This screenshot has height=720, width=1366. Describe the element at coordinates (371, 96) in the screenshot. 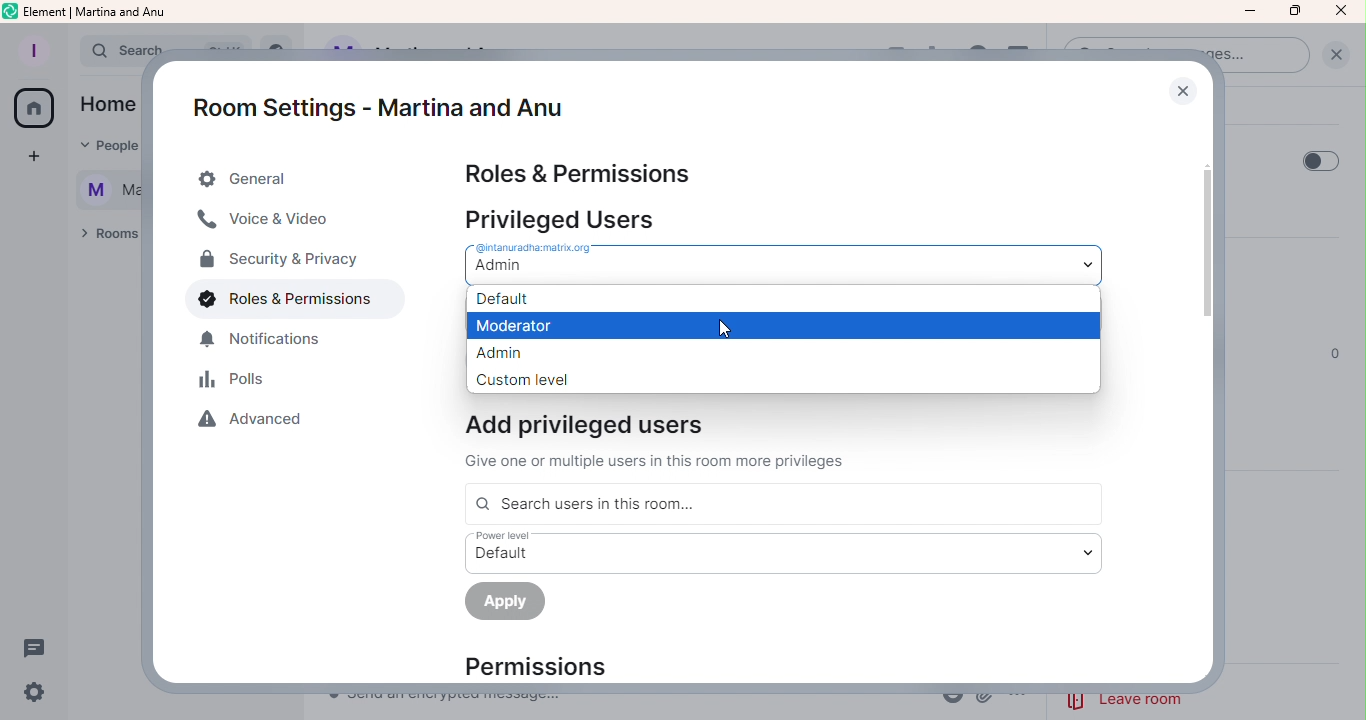

I see `Room settings - Martina and Anu` at that location.